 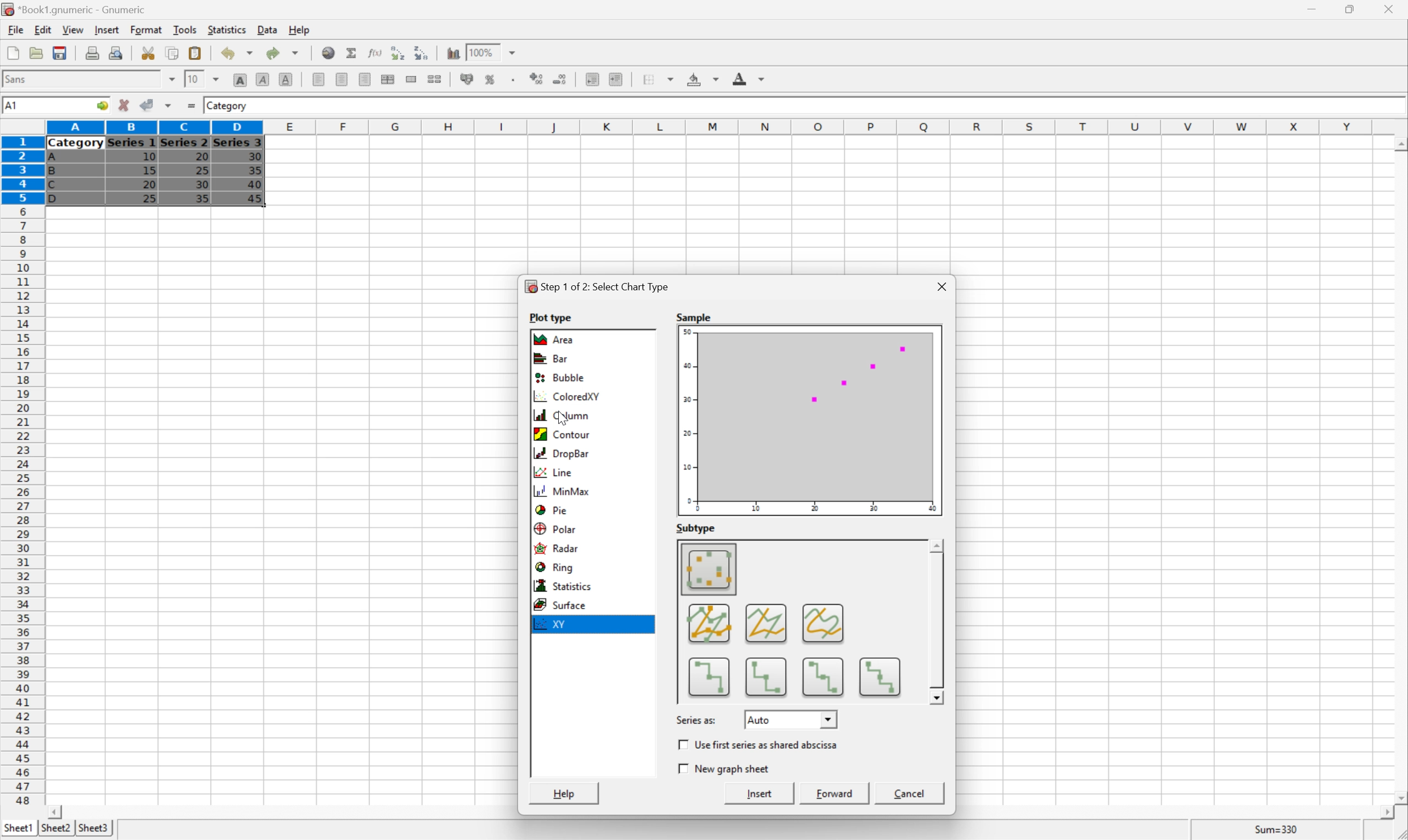 What do you see at coordinates (317, 77) in the screenshot?
I see `Align Left` at bounding box center [317, 77].